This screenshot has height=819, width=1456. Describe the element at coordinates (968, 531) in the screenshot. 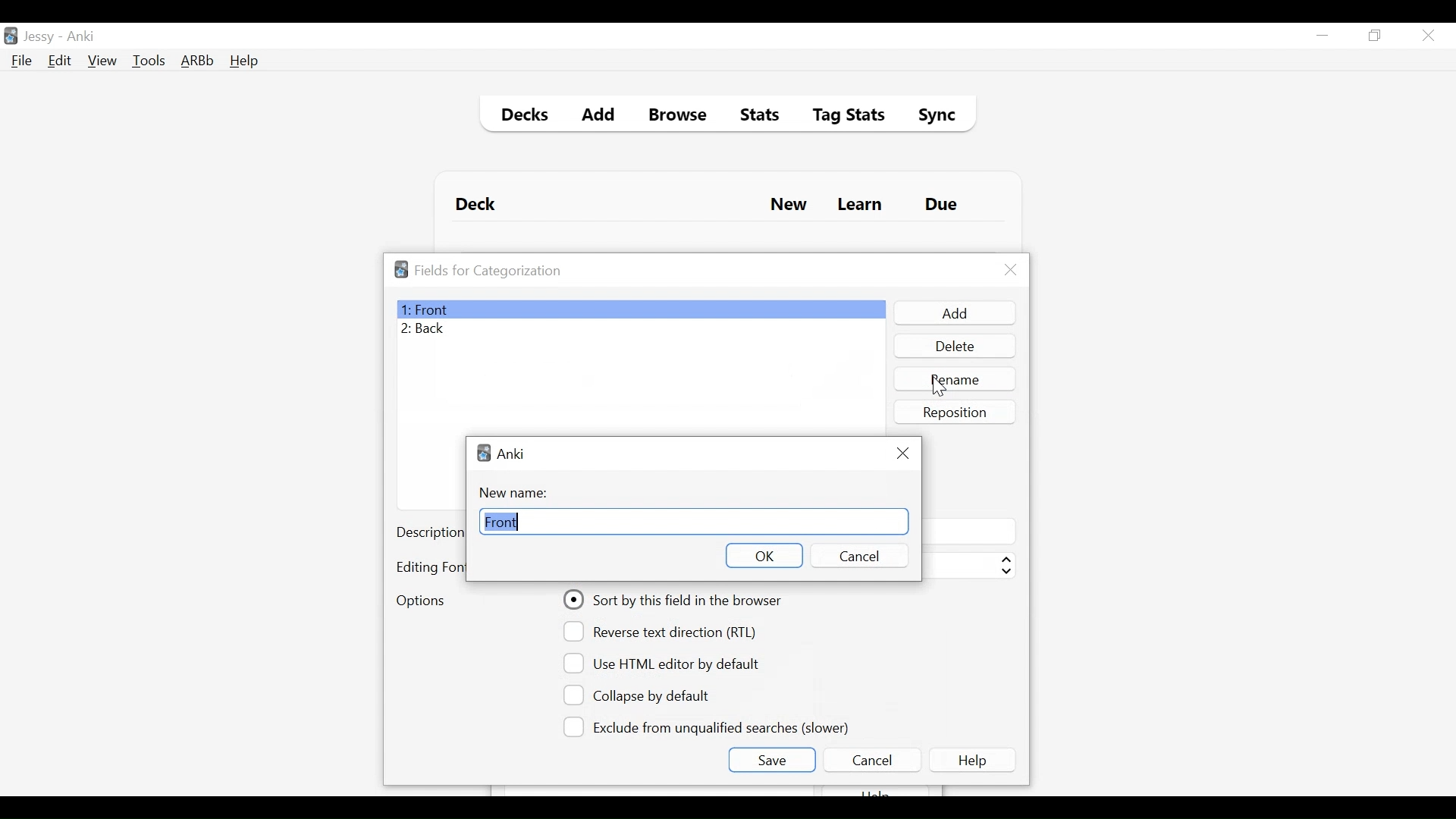

I see `Text to Show inside the field when empty` at that location.